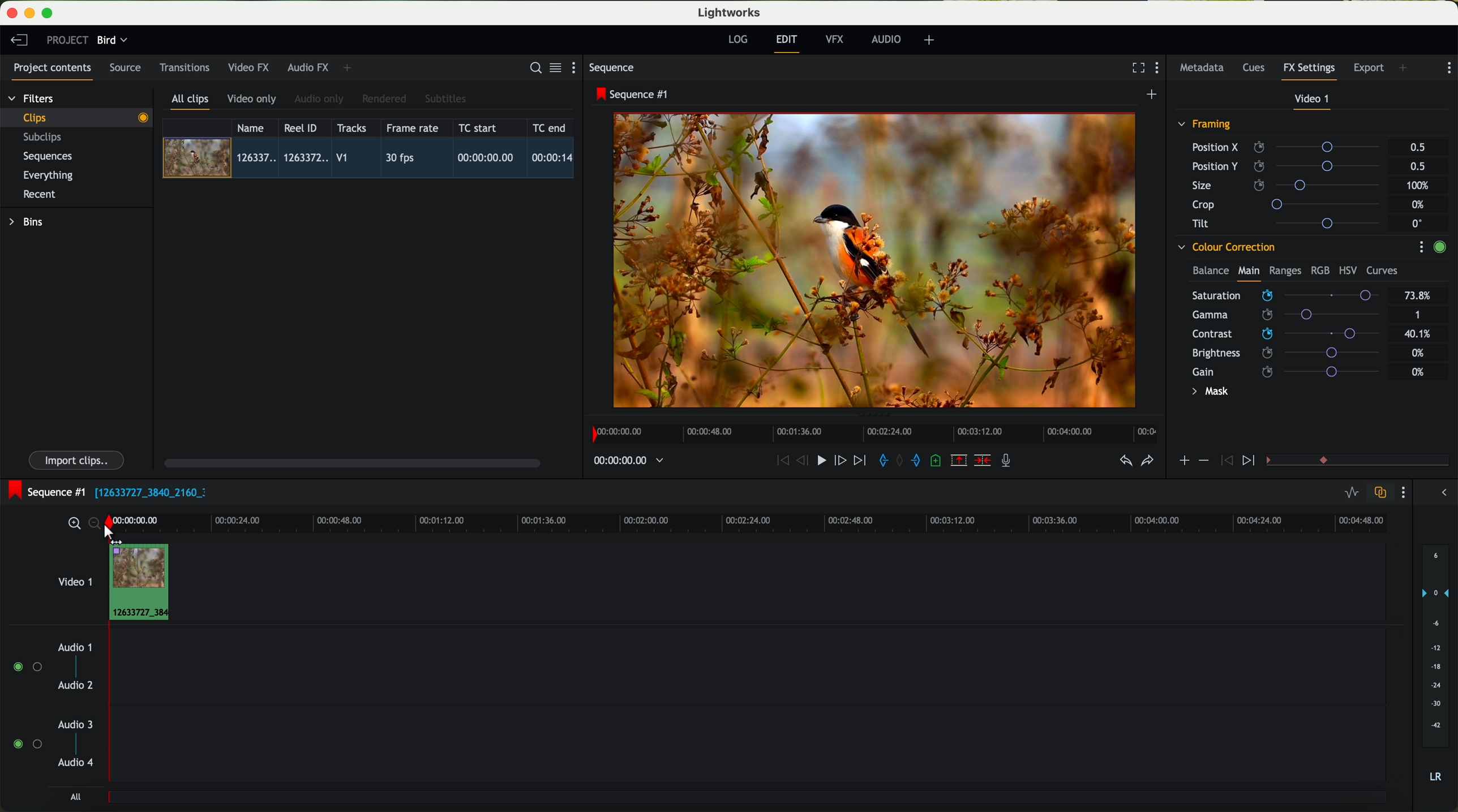 The width and height of the screenshot is (1458, 812). Describe the element at coordinates (1160, 69) in the screenshot. I see `show settings menu` at that location.